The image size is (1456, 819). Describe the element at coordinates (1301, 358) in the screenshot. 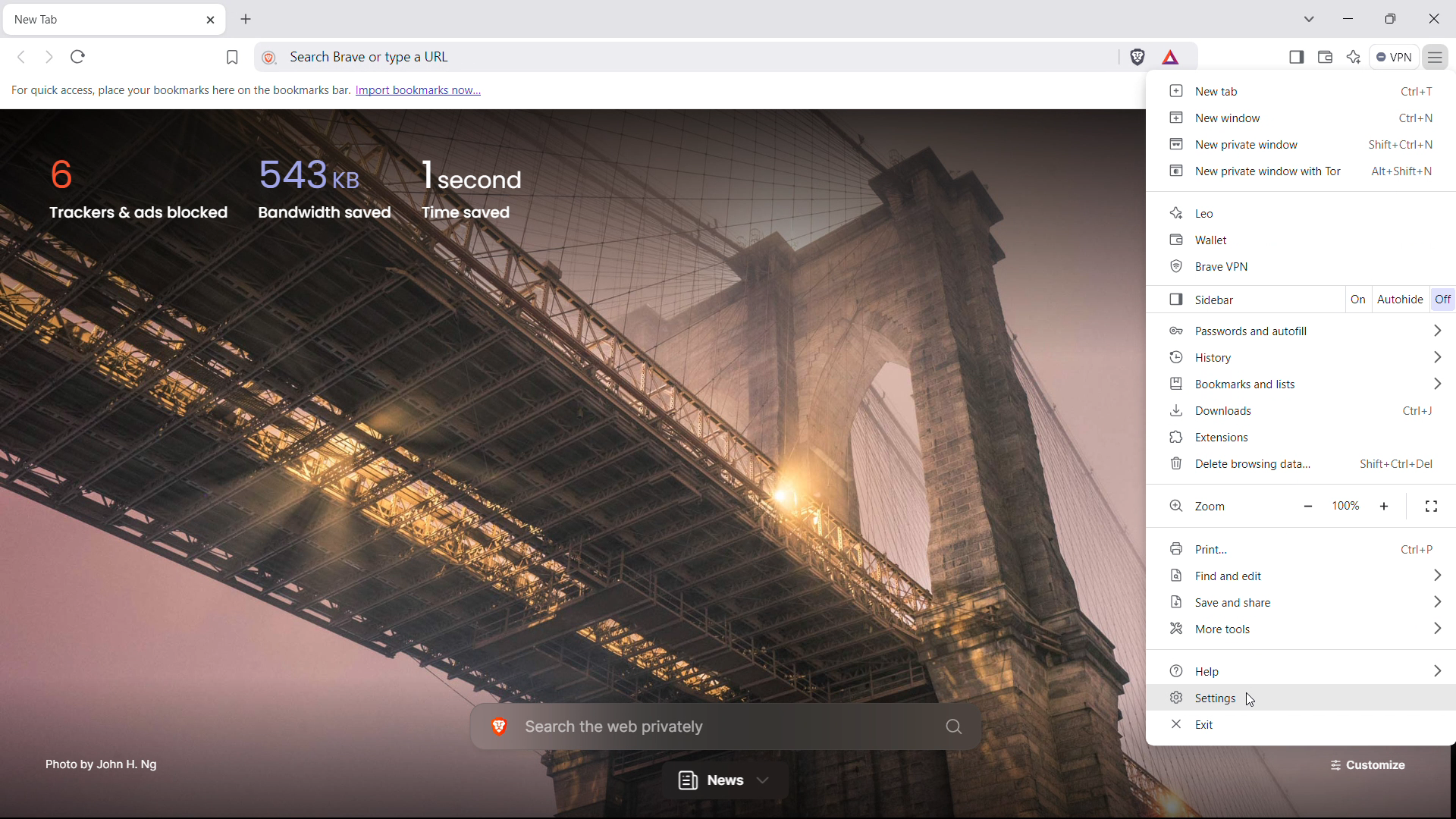

I see `history` at that location.